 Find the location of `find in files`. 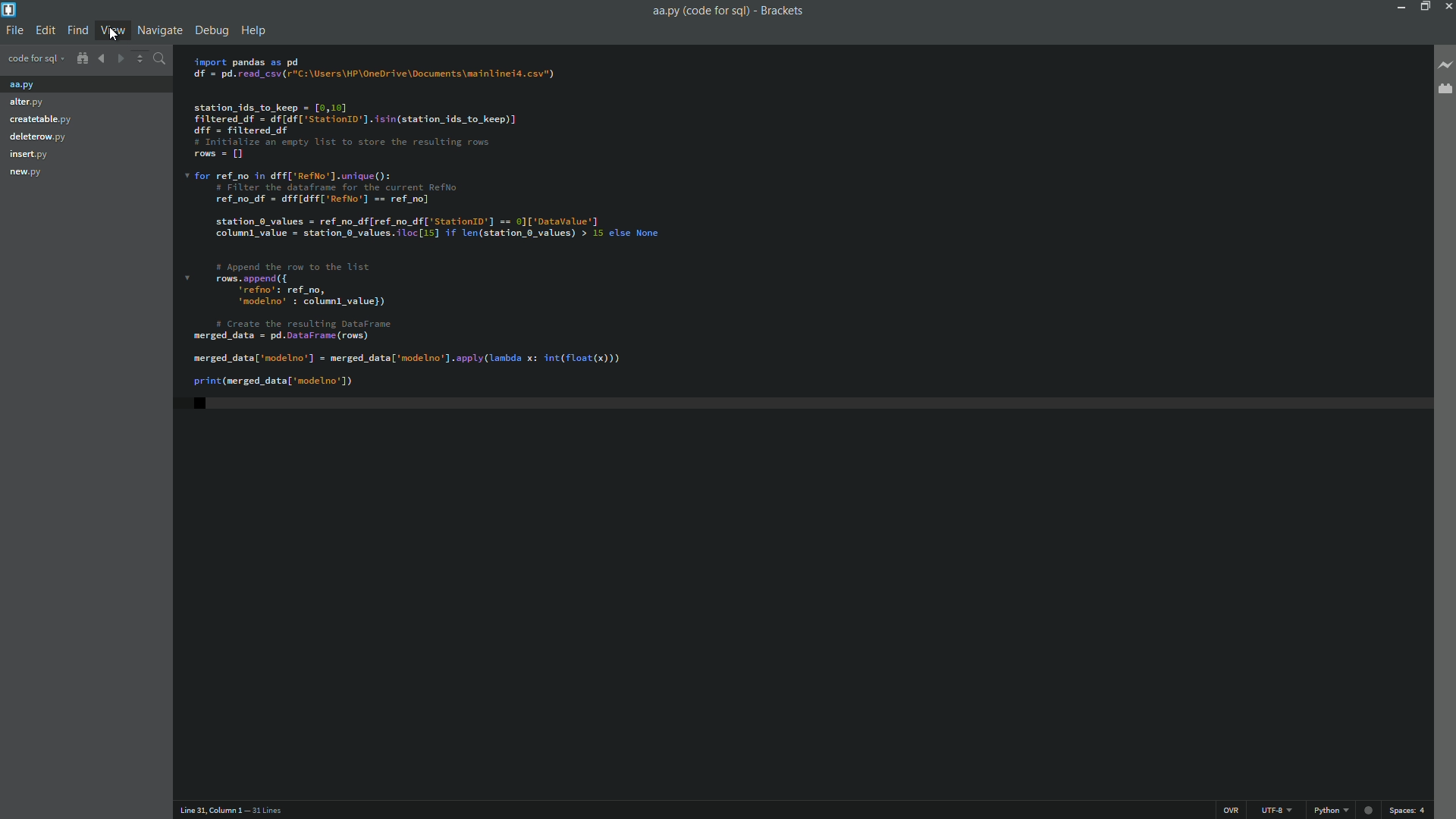

find in files is located at coordinates (161, 60).